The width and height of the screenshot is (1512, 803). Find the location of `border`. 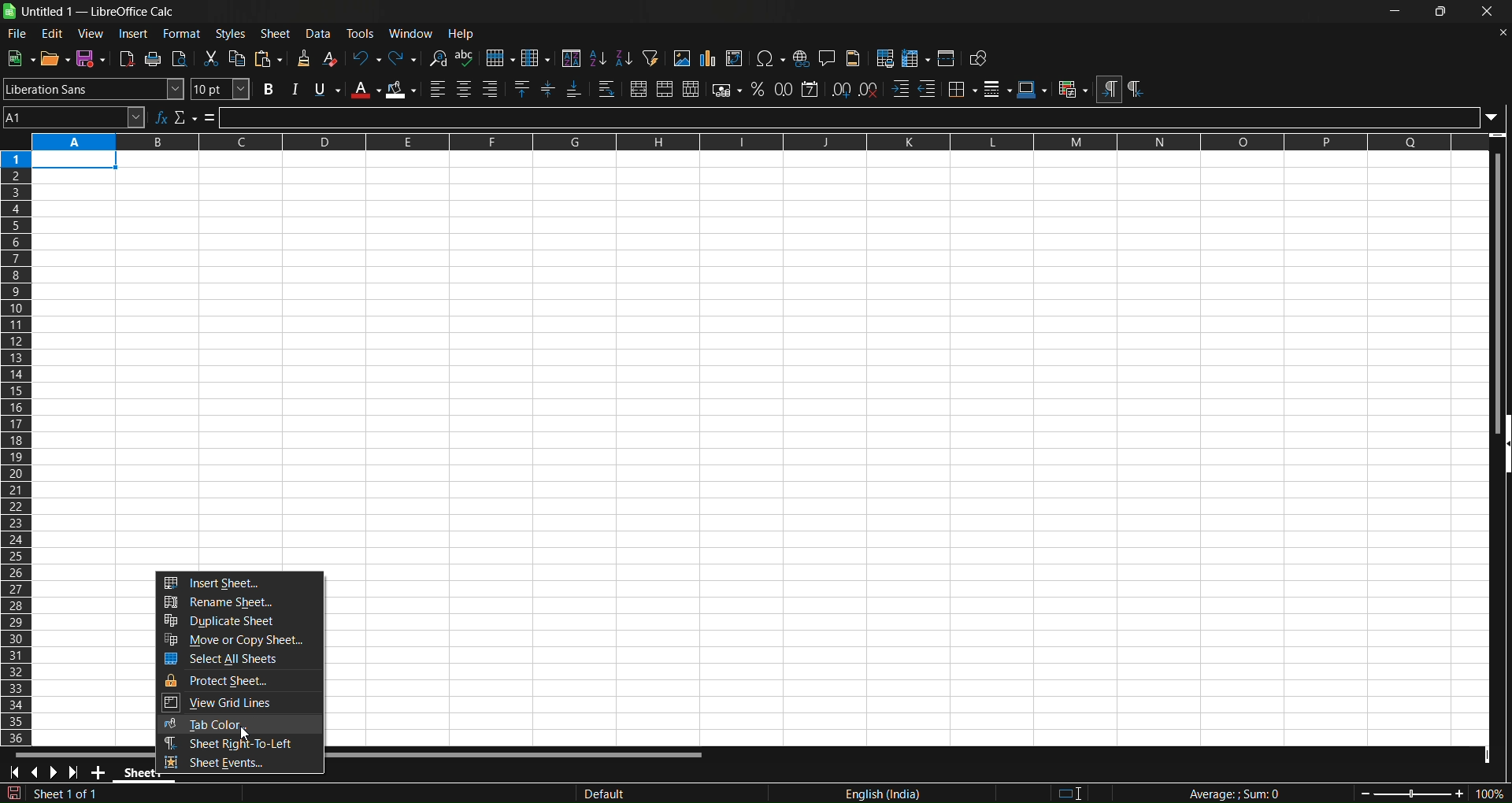

border is located at coordinates (962, 88).